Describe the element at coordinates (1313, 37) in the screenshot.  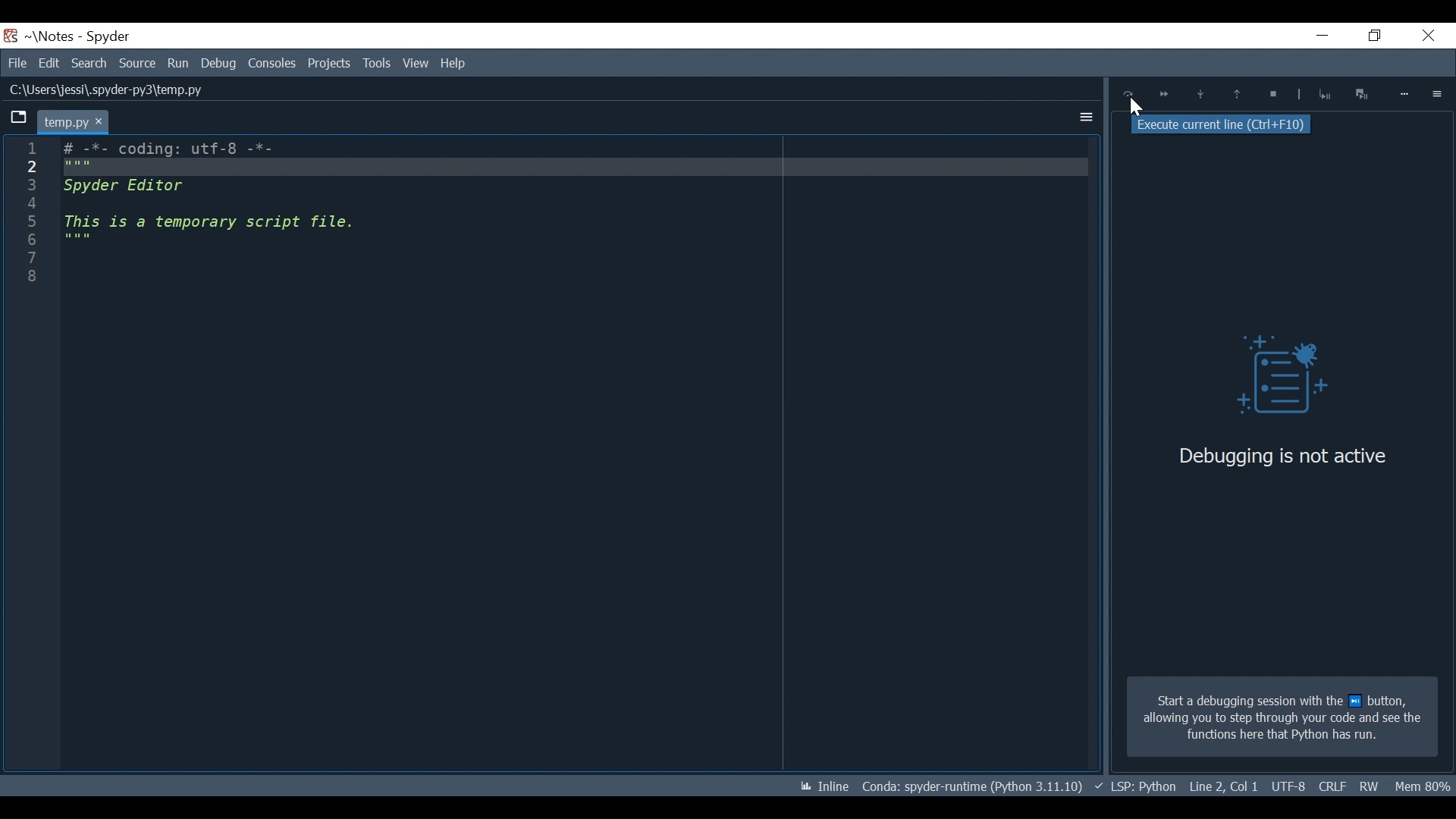
I see `Minimize` at that location.